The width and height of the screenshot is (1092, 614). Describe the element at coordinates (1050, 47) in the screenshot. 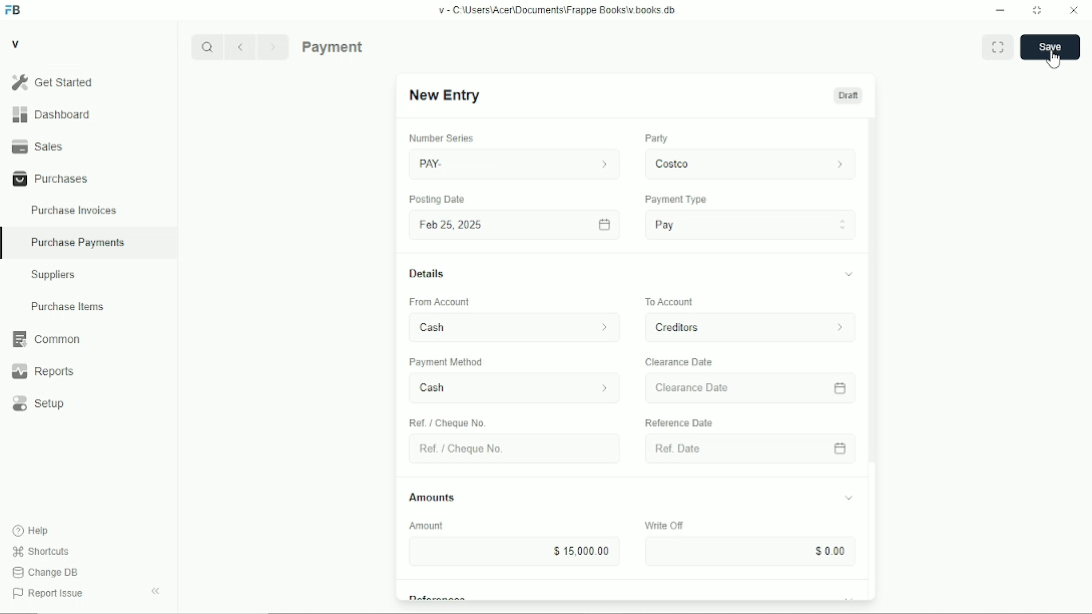

I see `save` at that location.